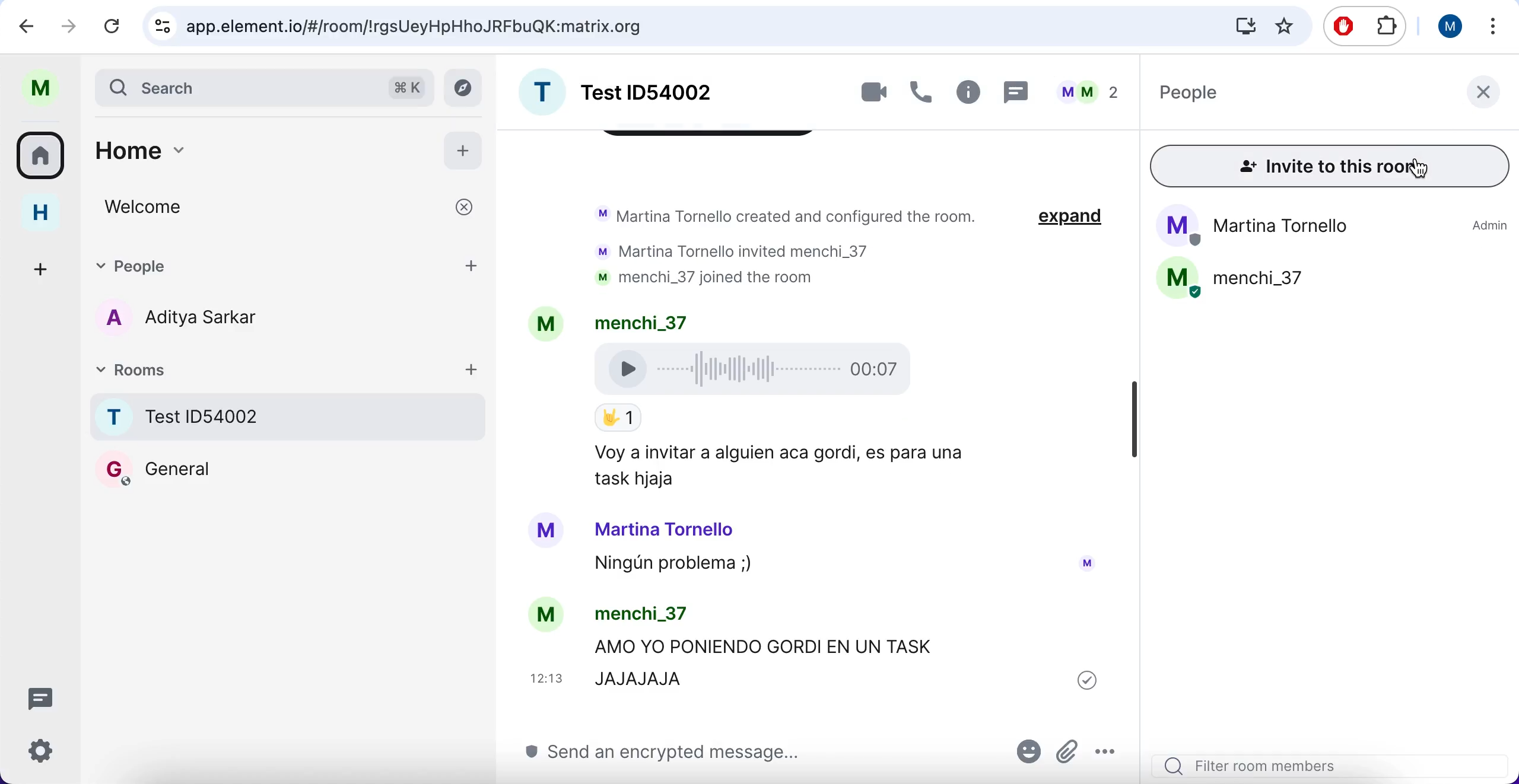 Image resolution: width=1519 pixels, height=784 pixels. Describe the element at coordinates (789, 244) in the screenshot. I see `Martina Tornello created and configured the room.
Martina Tornello invited menchi_37
menchi_37 joined the room` at that location.